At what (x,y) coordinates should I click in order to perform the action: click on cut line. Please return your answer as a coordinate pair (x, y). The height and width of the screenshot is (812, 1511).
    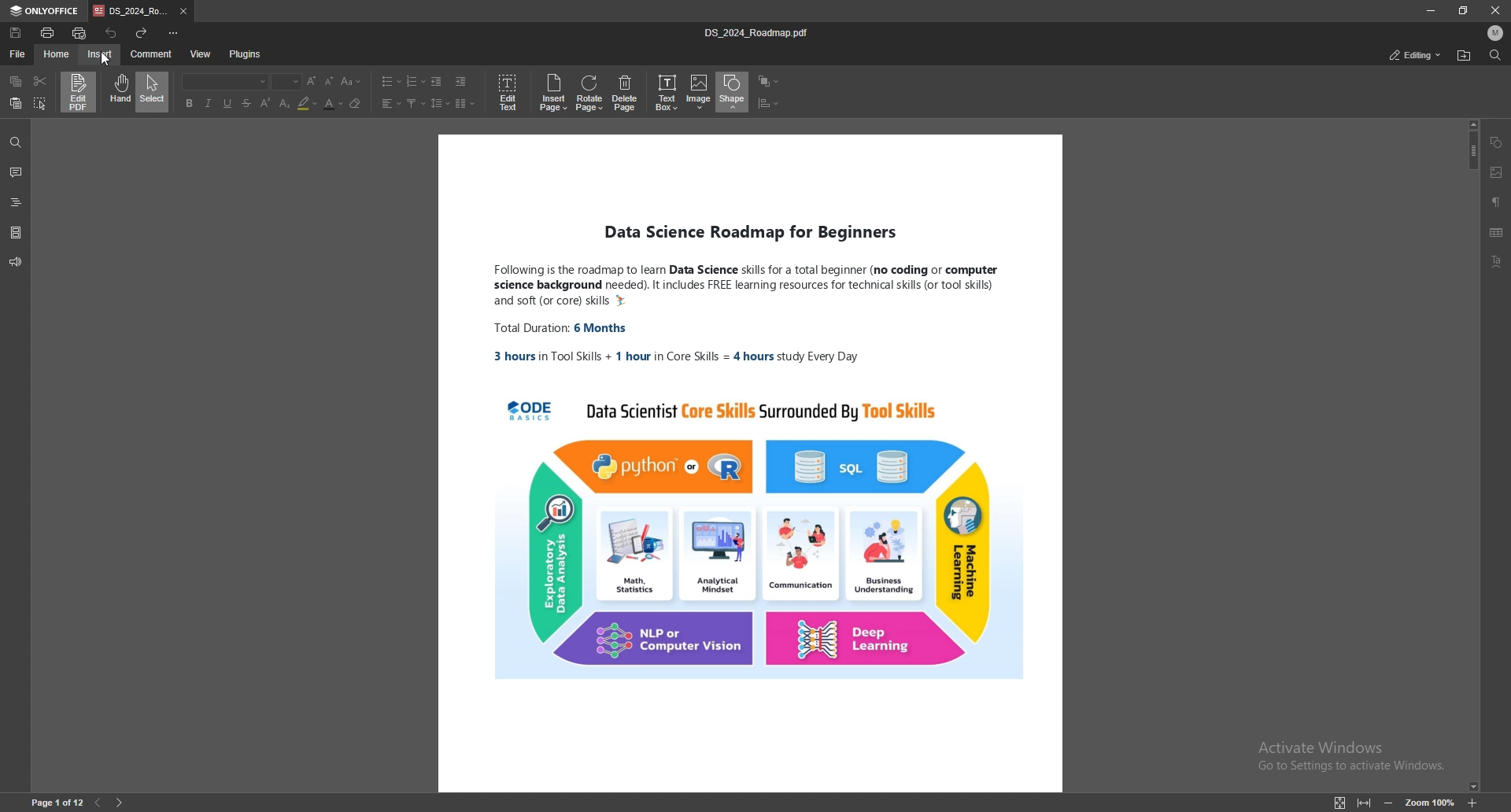
    Looking at the image, I should click on (248, 103).